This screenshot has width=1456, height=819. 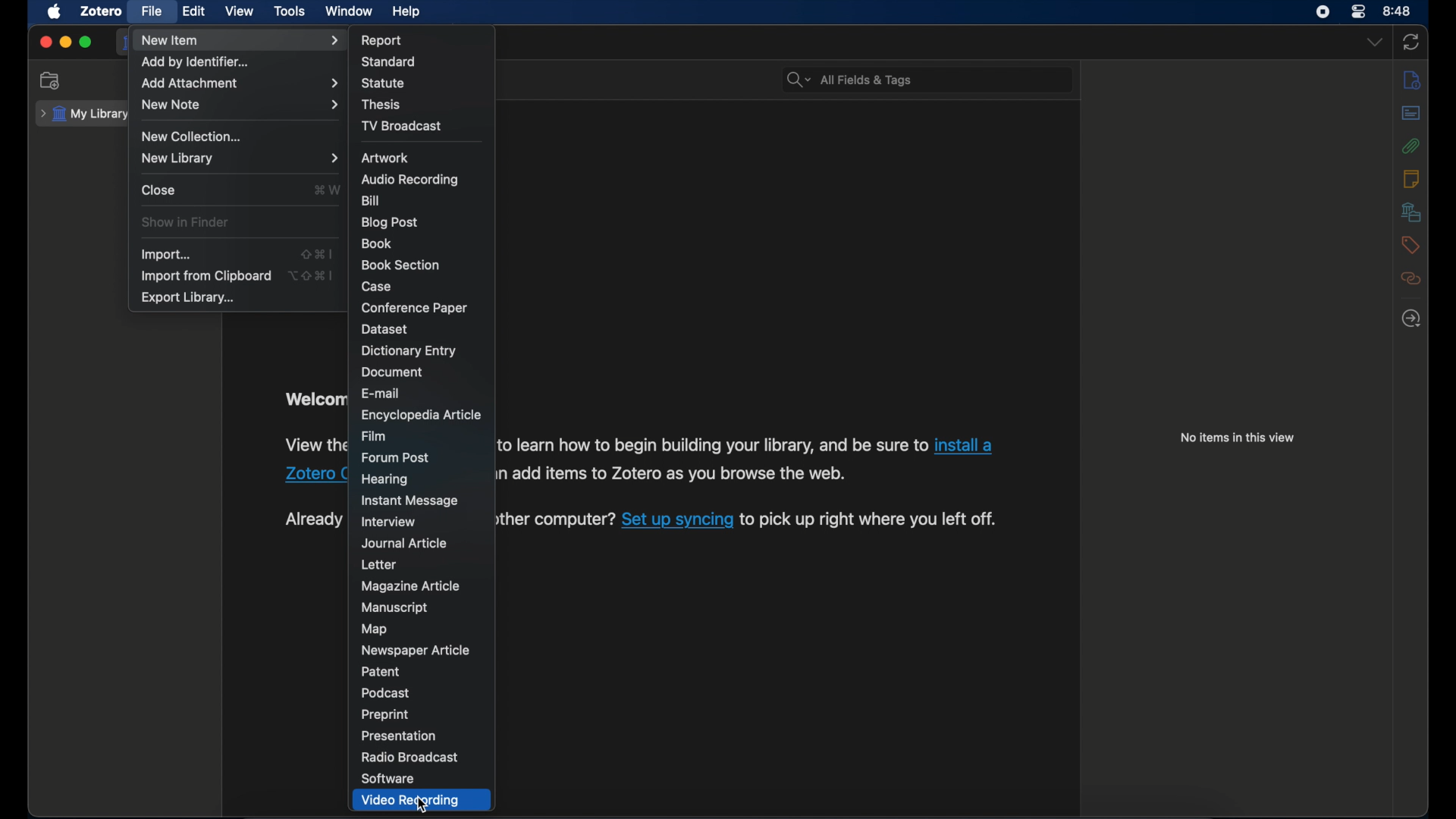 I want to click on attachments, so click(x=1410, y=146).